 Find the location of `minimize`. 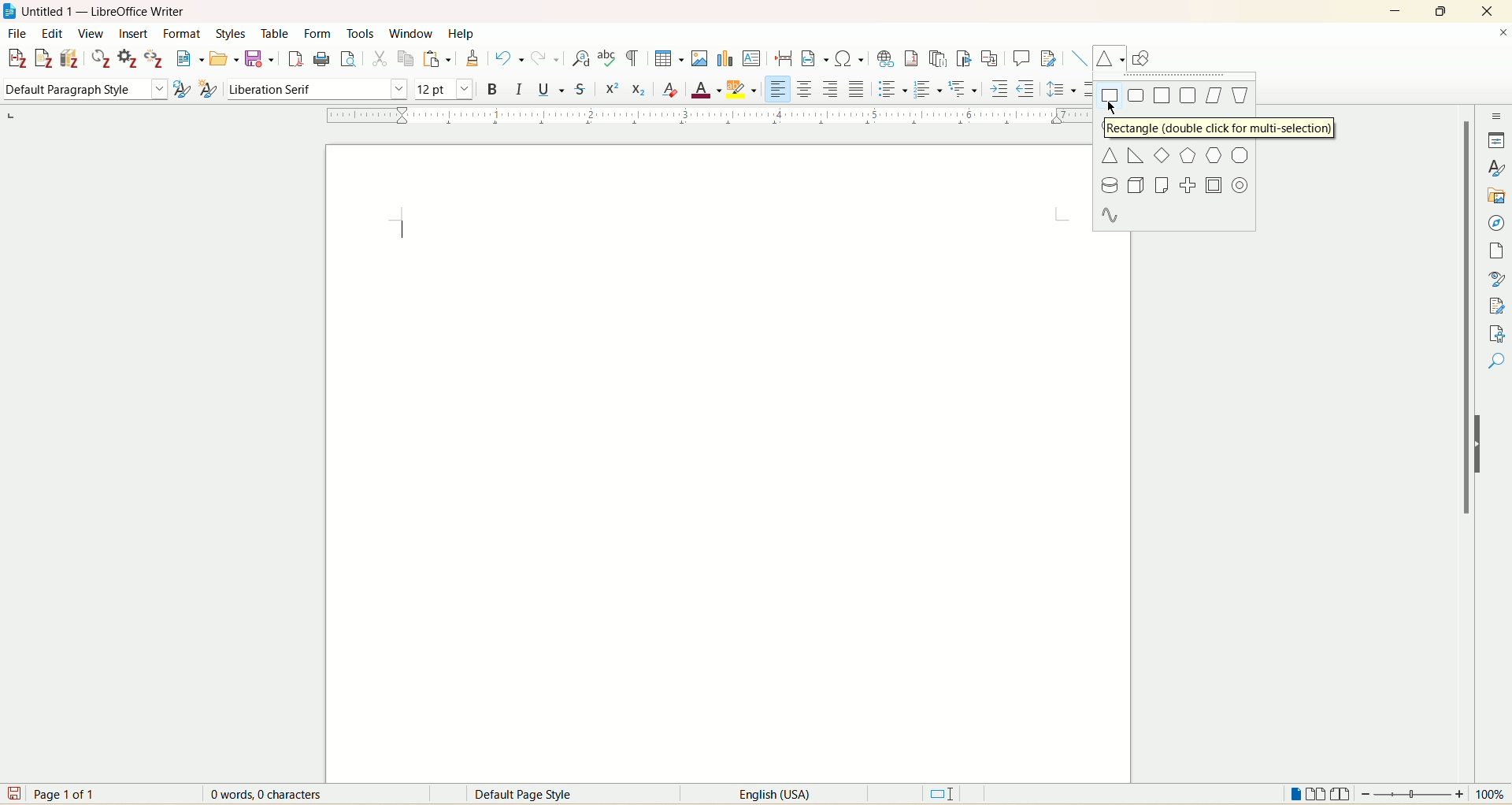

minimize is located at coordinates (1395, 9).